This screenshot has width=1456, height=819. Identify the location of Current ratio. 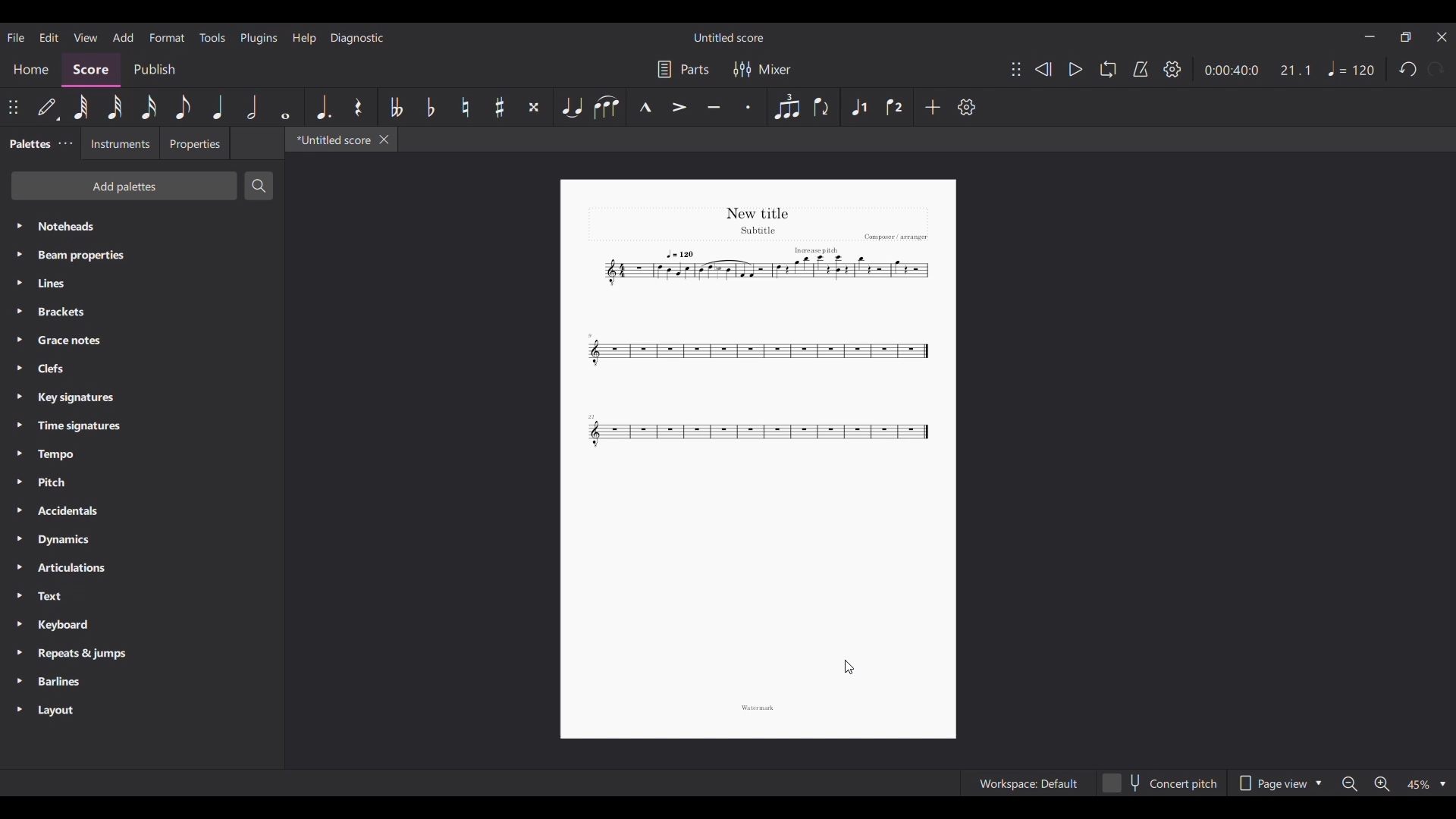
(1295, 70).